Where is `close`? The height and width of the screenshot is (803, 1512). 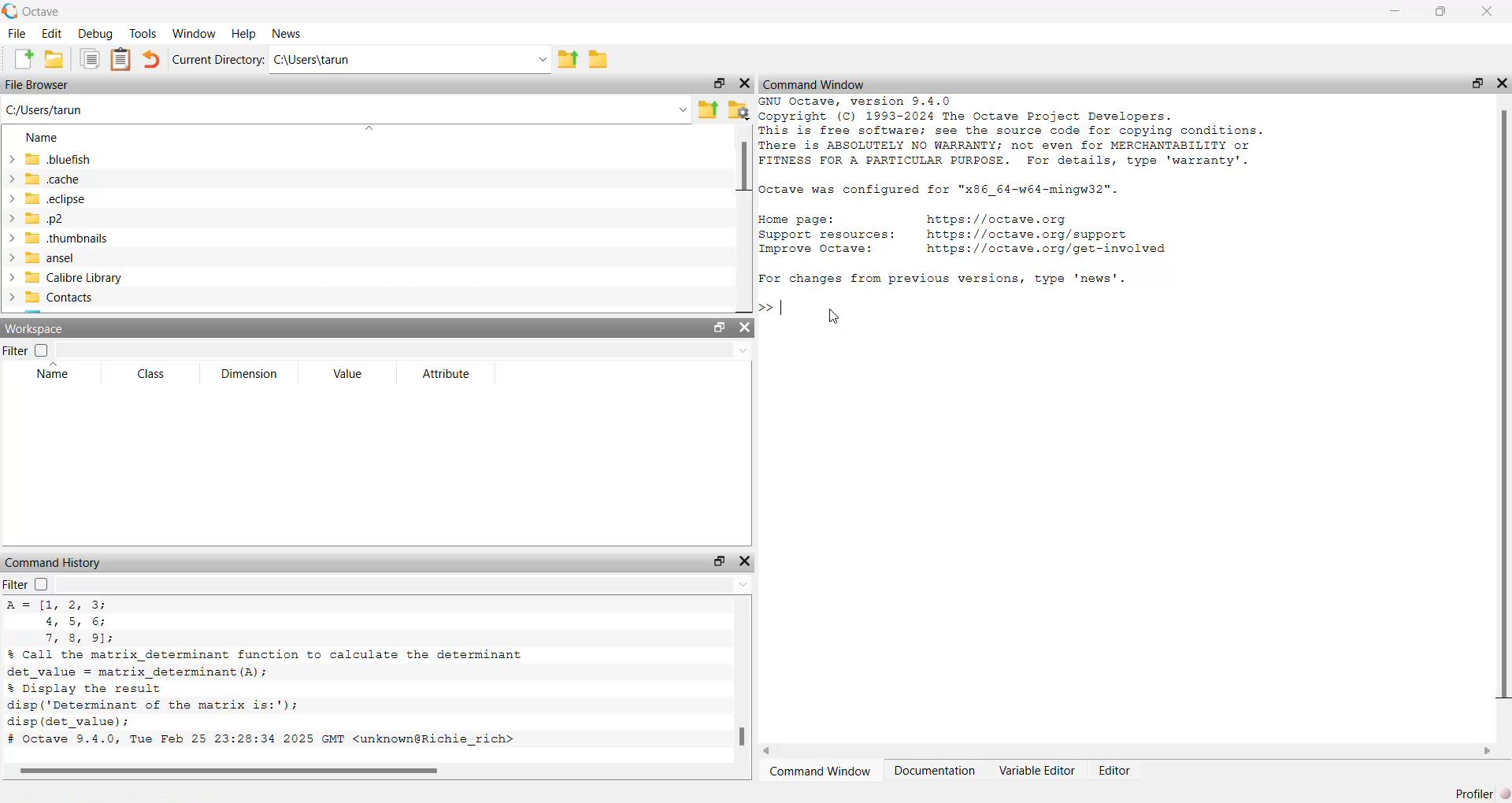
close is located at coordinates (744, 328).